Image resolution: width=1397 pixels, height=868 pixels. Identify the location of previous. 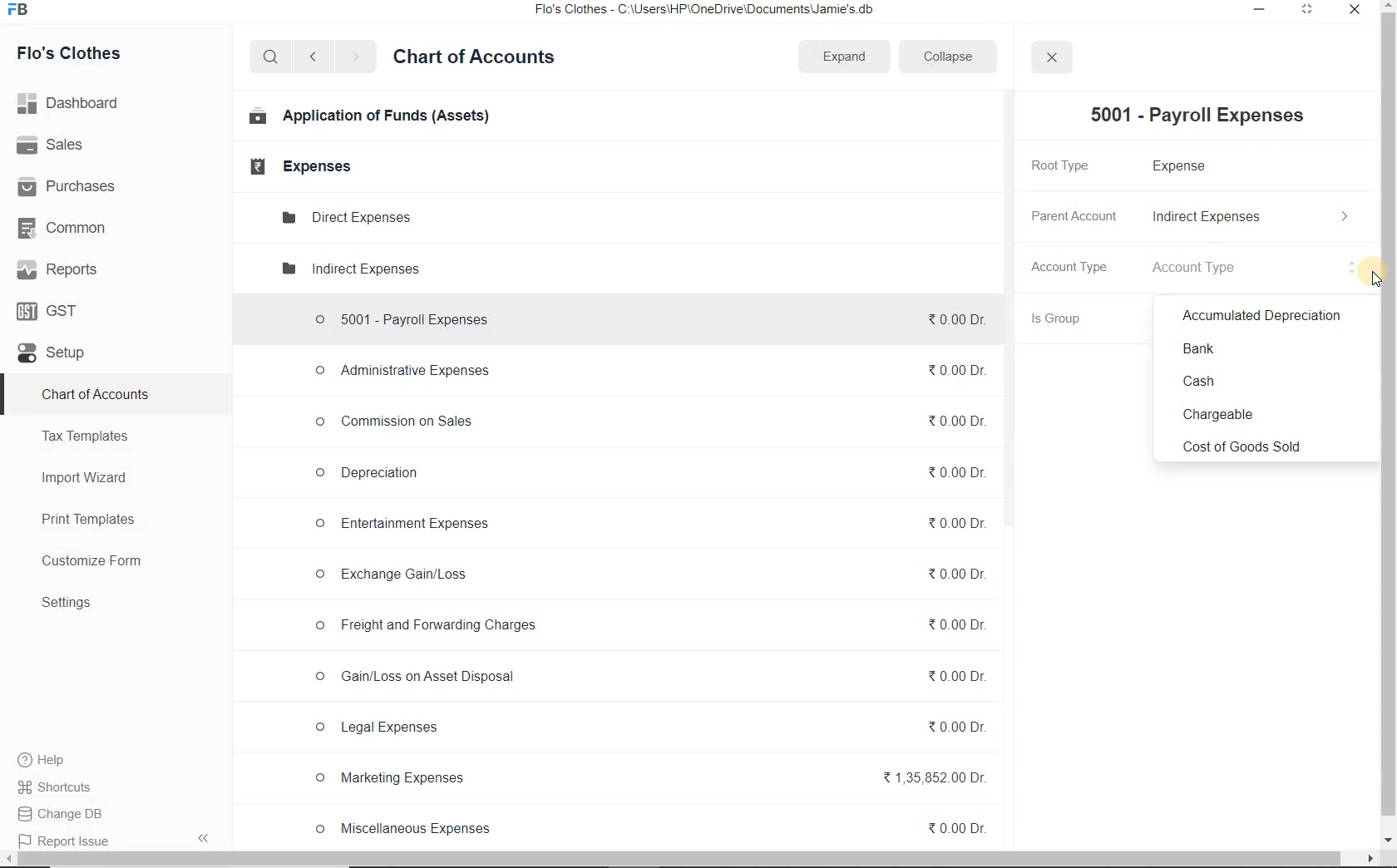
(312, 57).